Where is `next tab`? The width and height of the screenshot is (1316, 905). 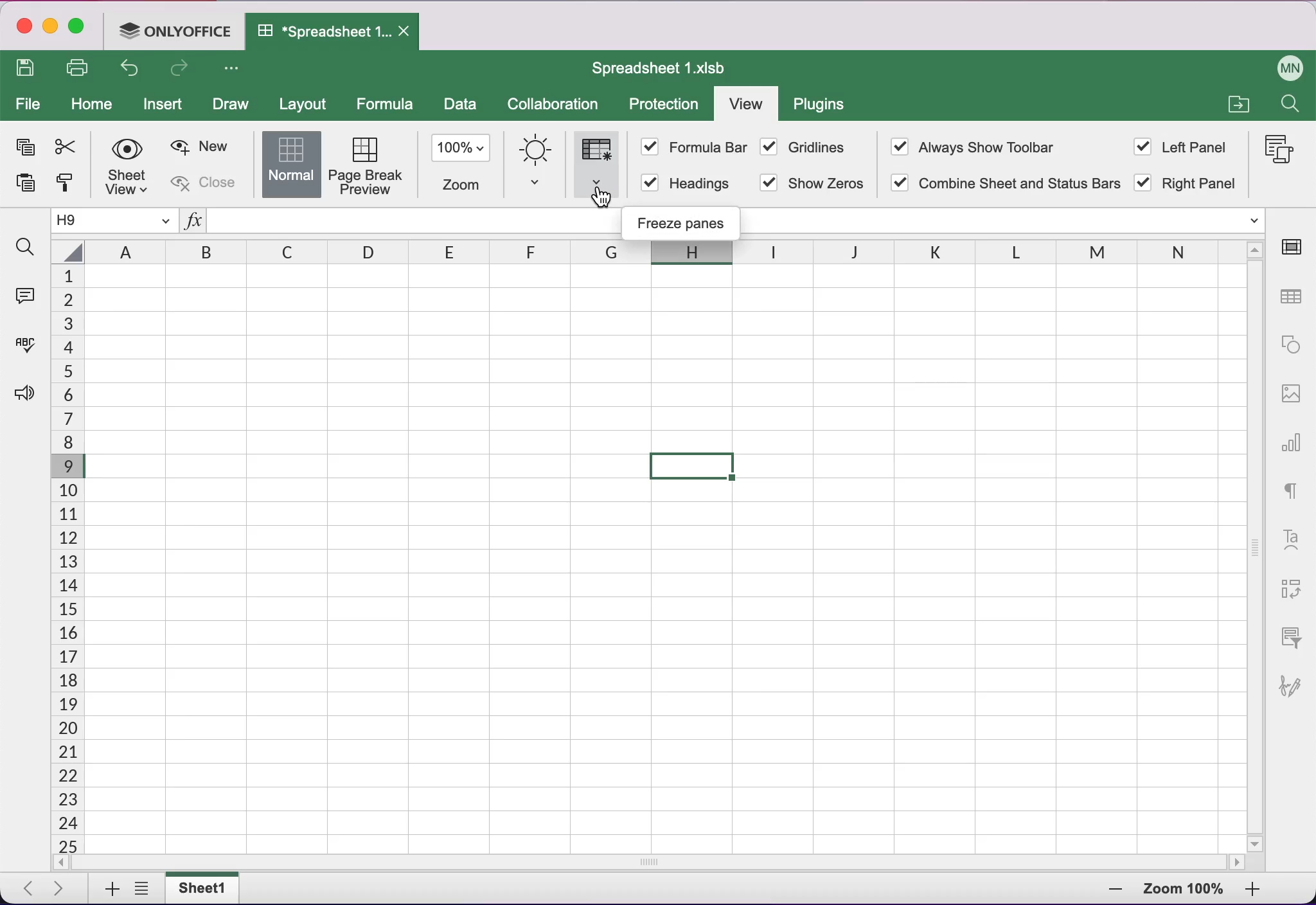
next tab is located at coordinates (63, 890).